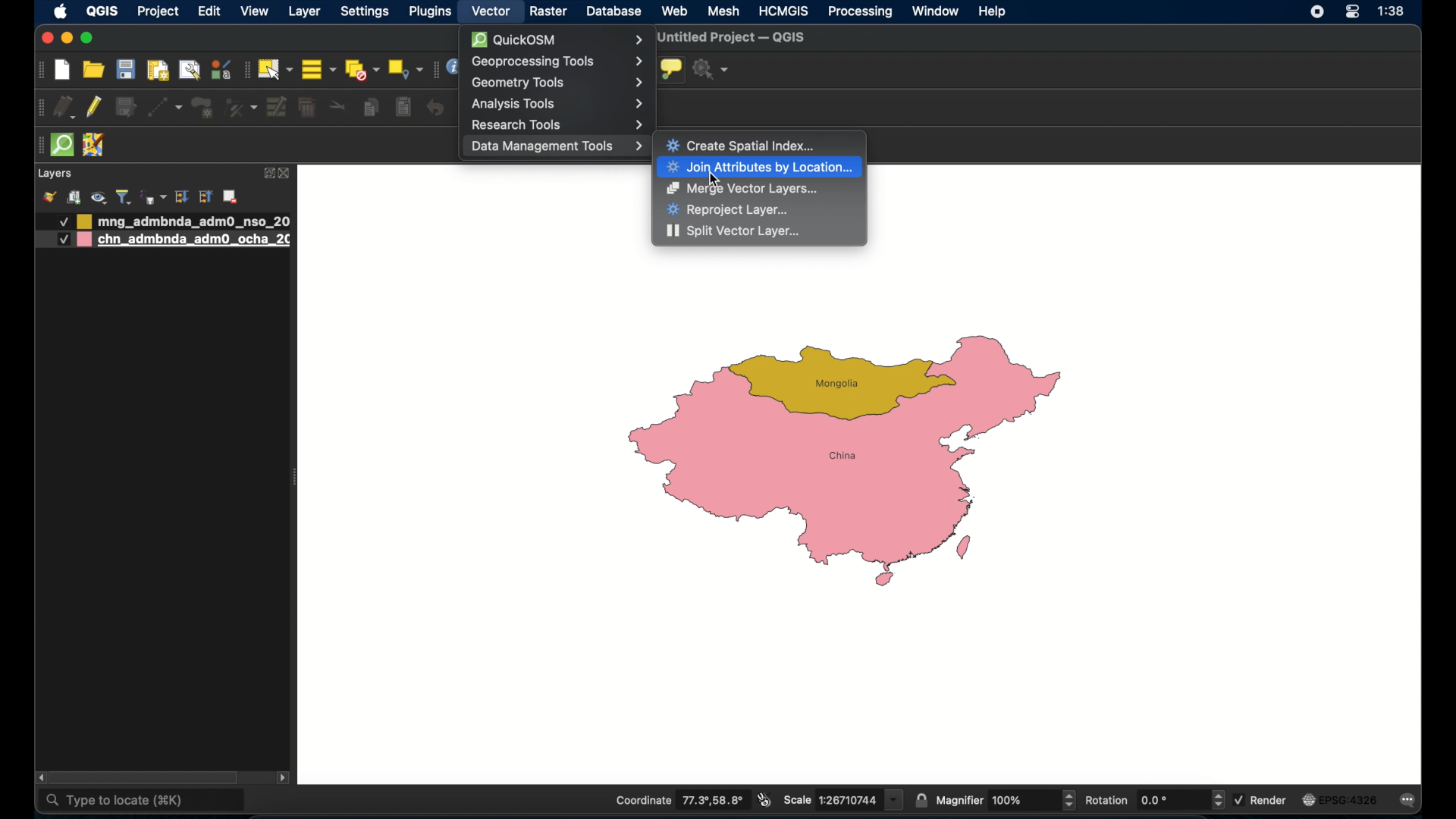 This screenshot has width=1456, height=819. I want to click on collapse, so click(205, 197).